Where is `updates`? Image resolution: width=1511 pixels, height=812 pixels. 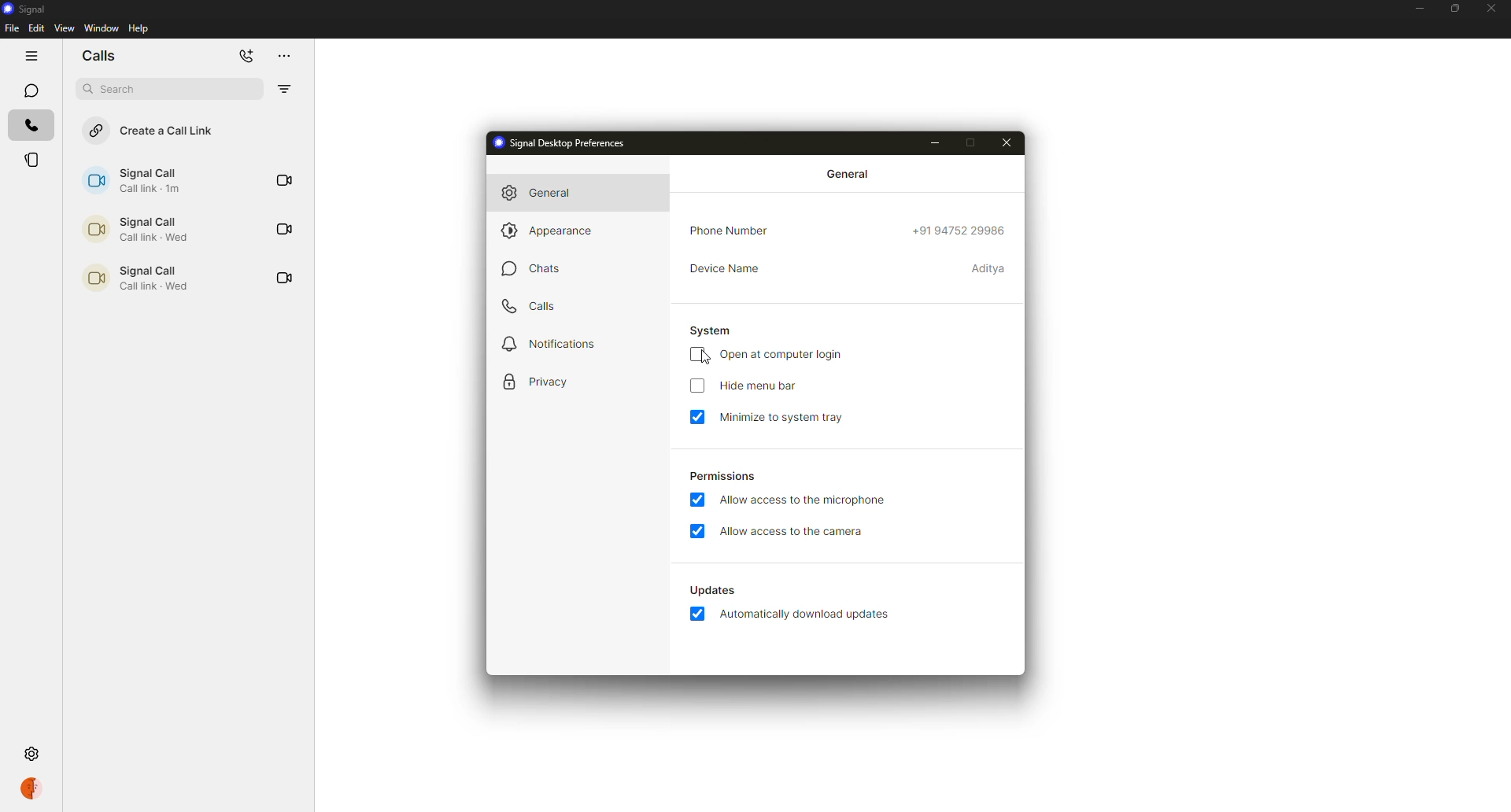
updates is located at coordinates (715, 590).